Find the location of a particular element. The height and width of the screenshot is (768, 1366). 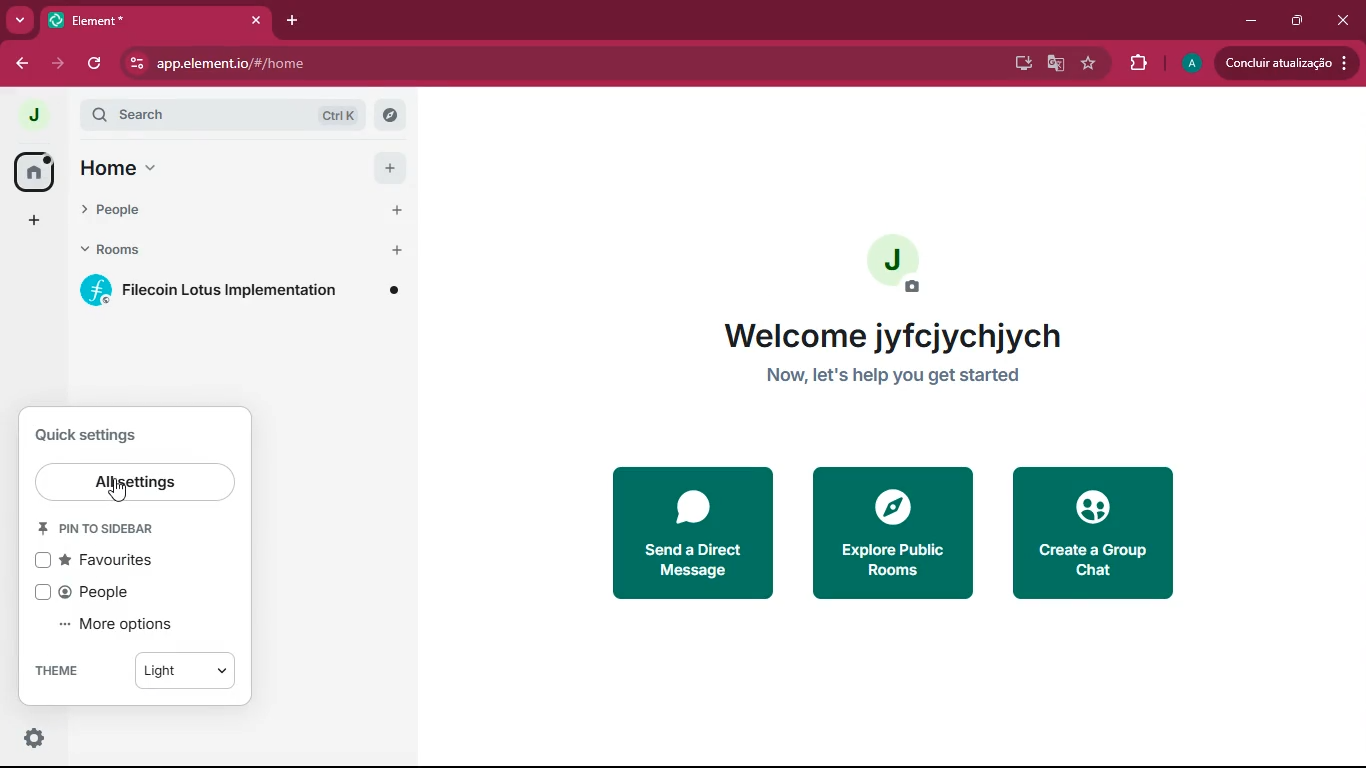

close is located at coordinates (1346, 20).